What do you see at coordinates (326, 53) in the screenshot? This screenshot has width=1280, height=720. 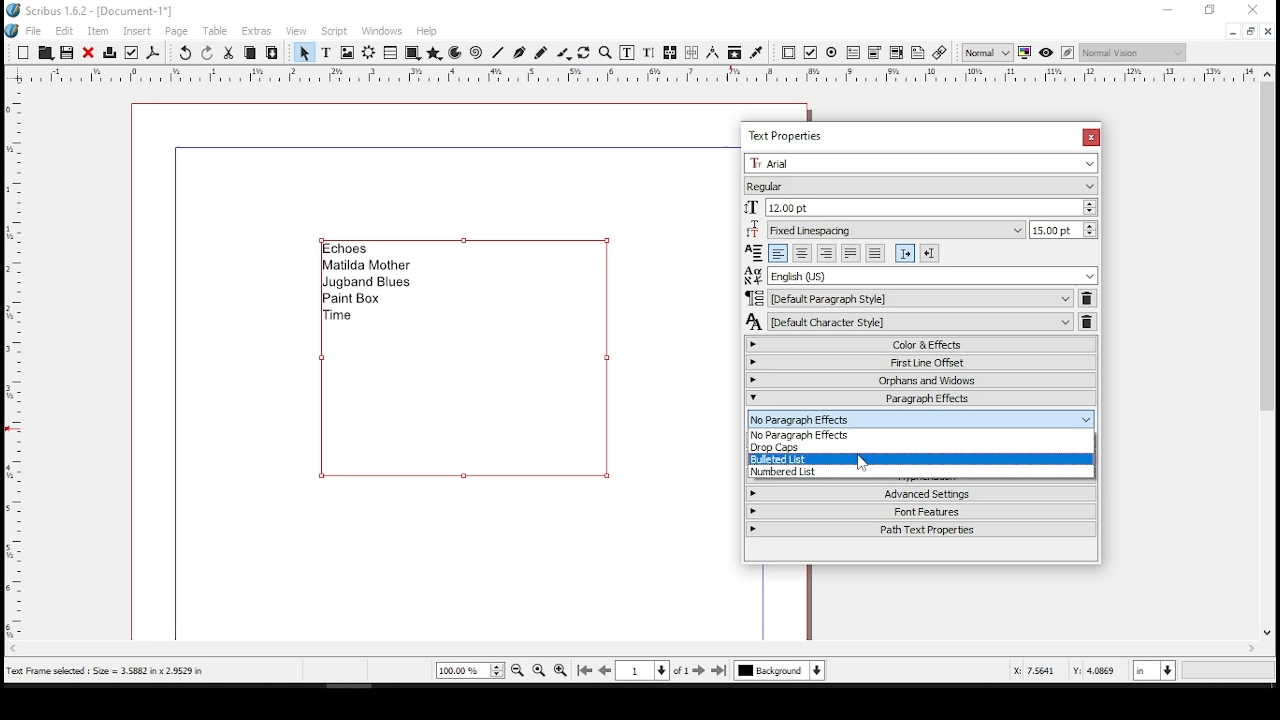 I see `text frame` at bounding box center [326, 53].